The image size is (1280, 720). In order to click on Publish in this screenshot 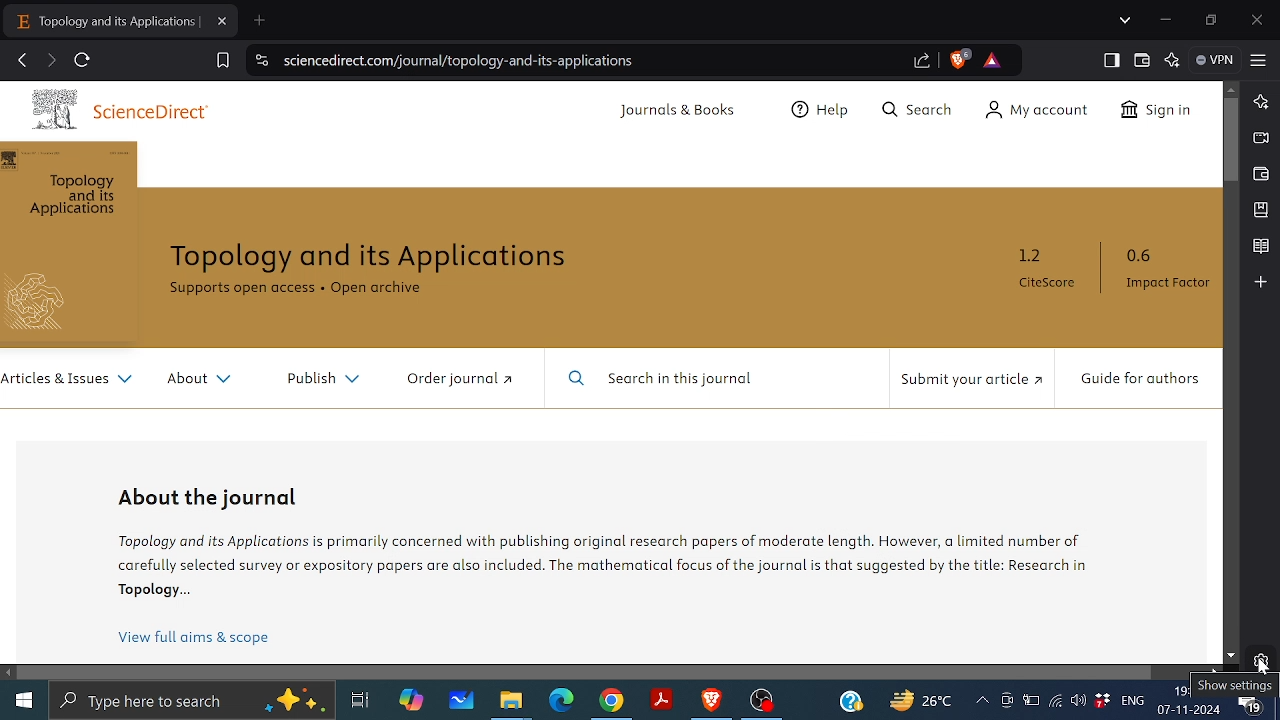, I will do `click(318, 380)`.